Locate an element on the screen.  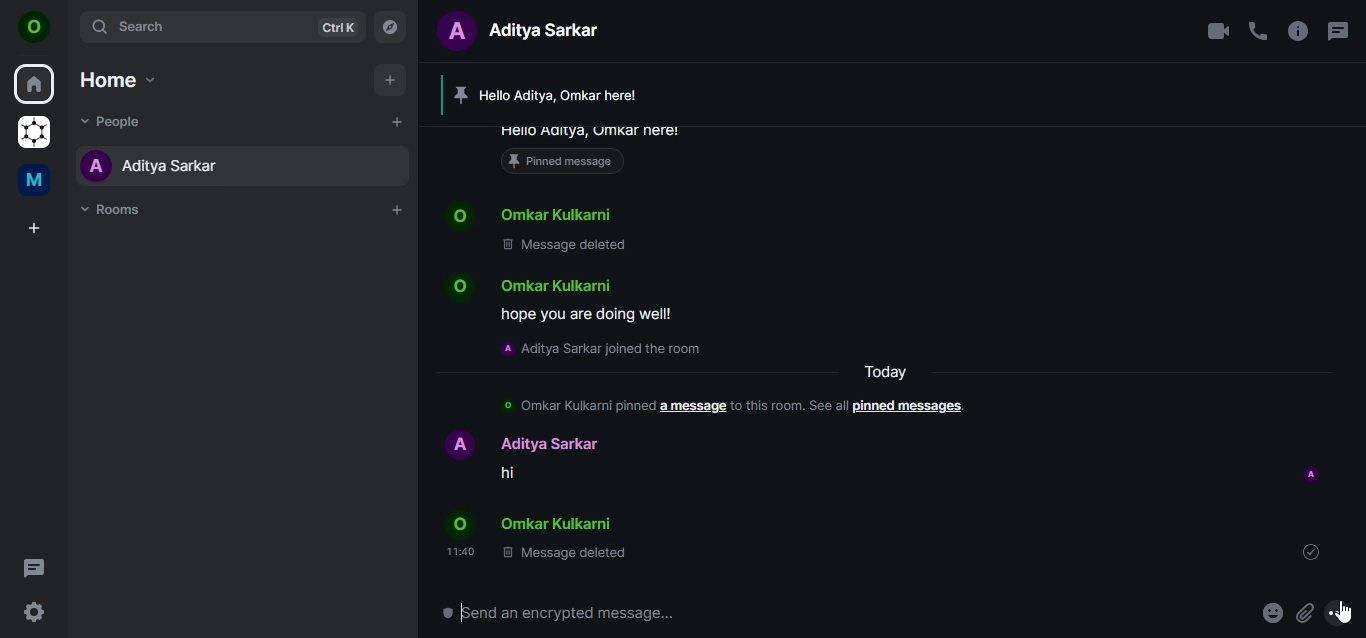
 Hello Aditya, Omkar here! is located at coordinates (557, 94).